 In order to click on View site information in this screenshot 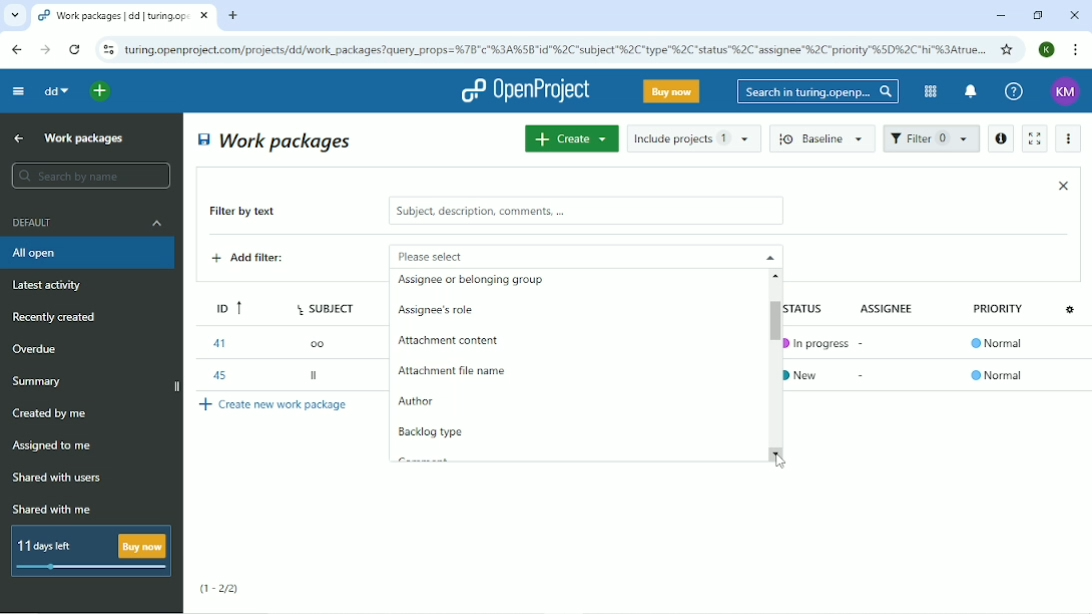, I will do `click(108, 50)`.